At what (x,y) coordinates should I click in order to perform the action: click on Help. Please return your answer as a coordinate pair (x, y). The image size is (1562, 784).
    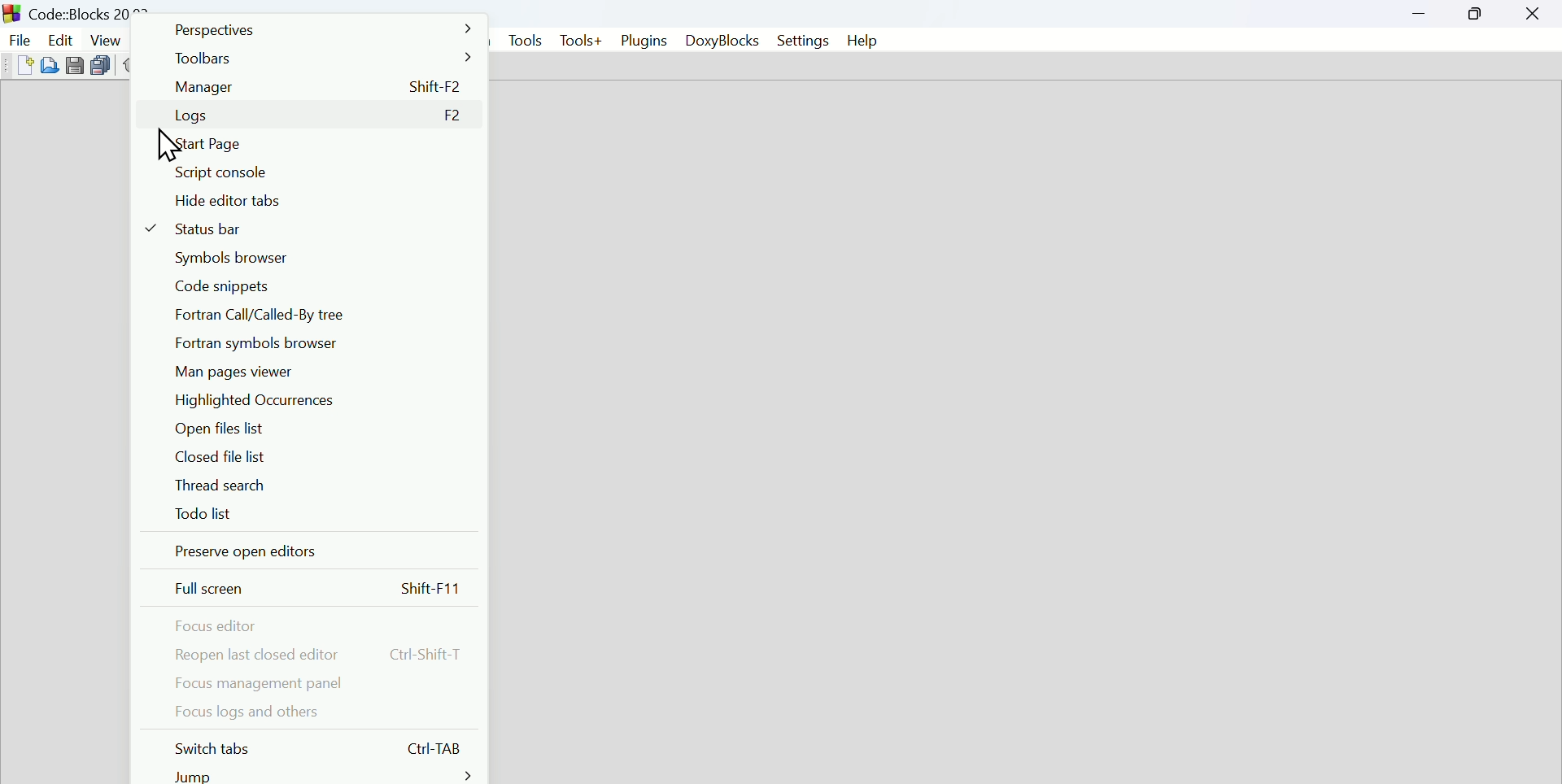
    Looking at the image, I should click on (862, 40).